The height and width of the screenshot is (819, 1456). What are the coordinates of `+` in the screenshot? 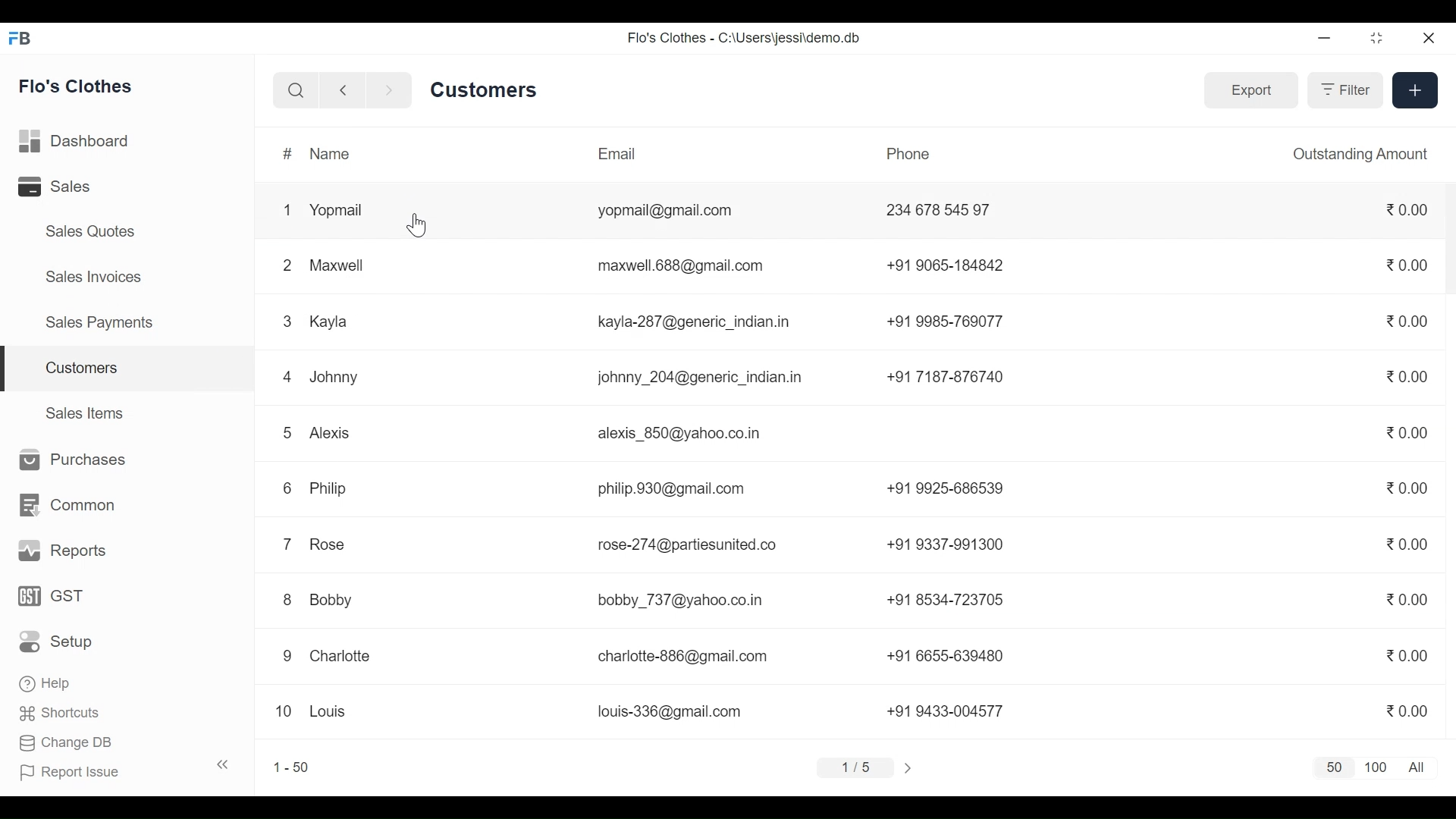 It's located at (1417, 91).